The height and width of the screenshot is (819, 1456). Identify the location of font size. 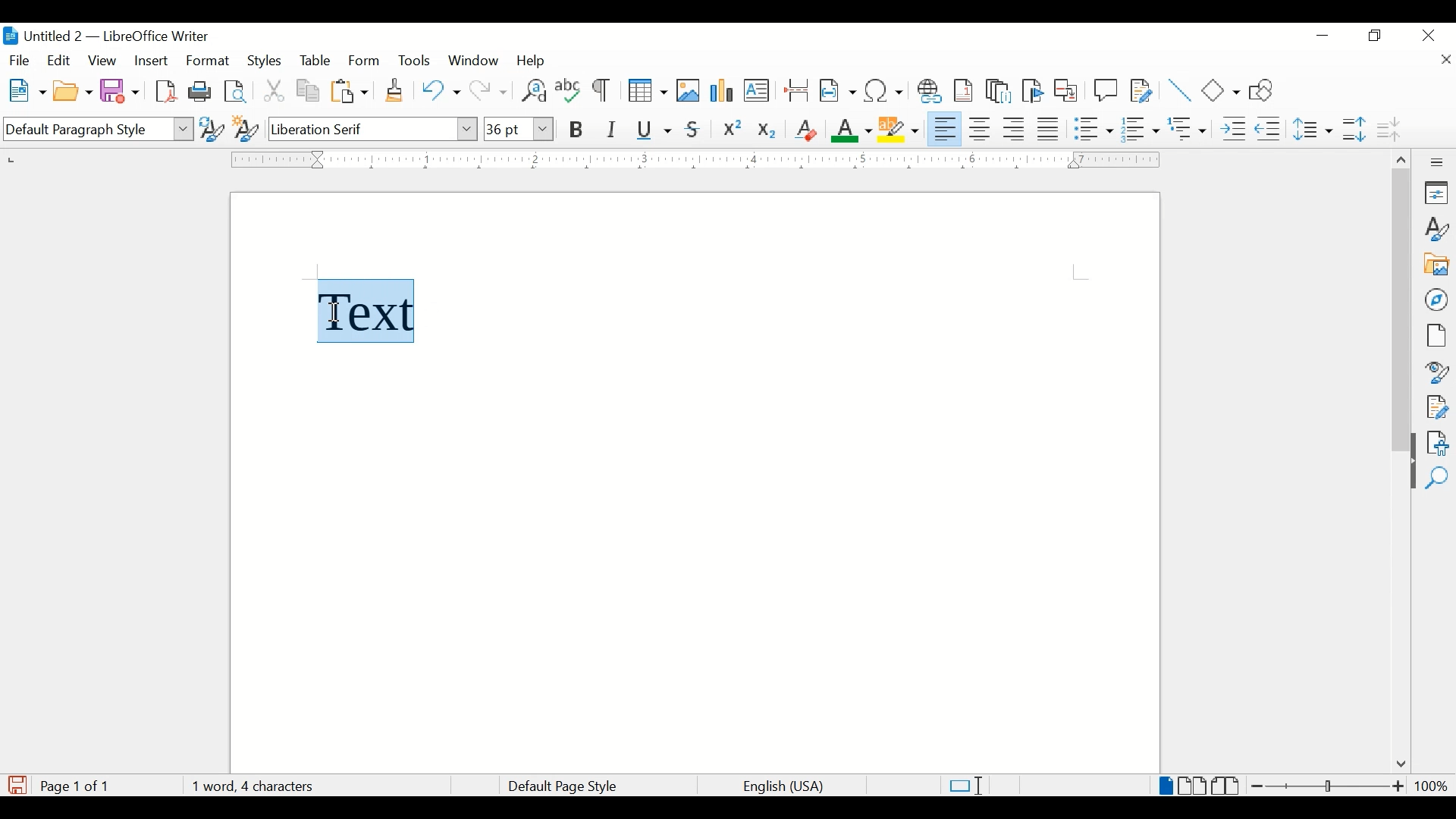
(518, 128).